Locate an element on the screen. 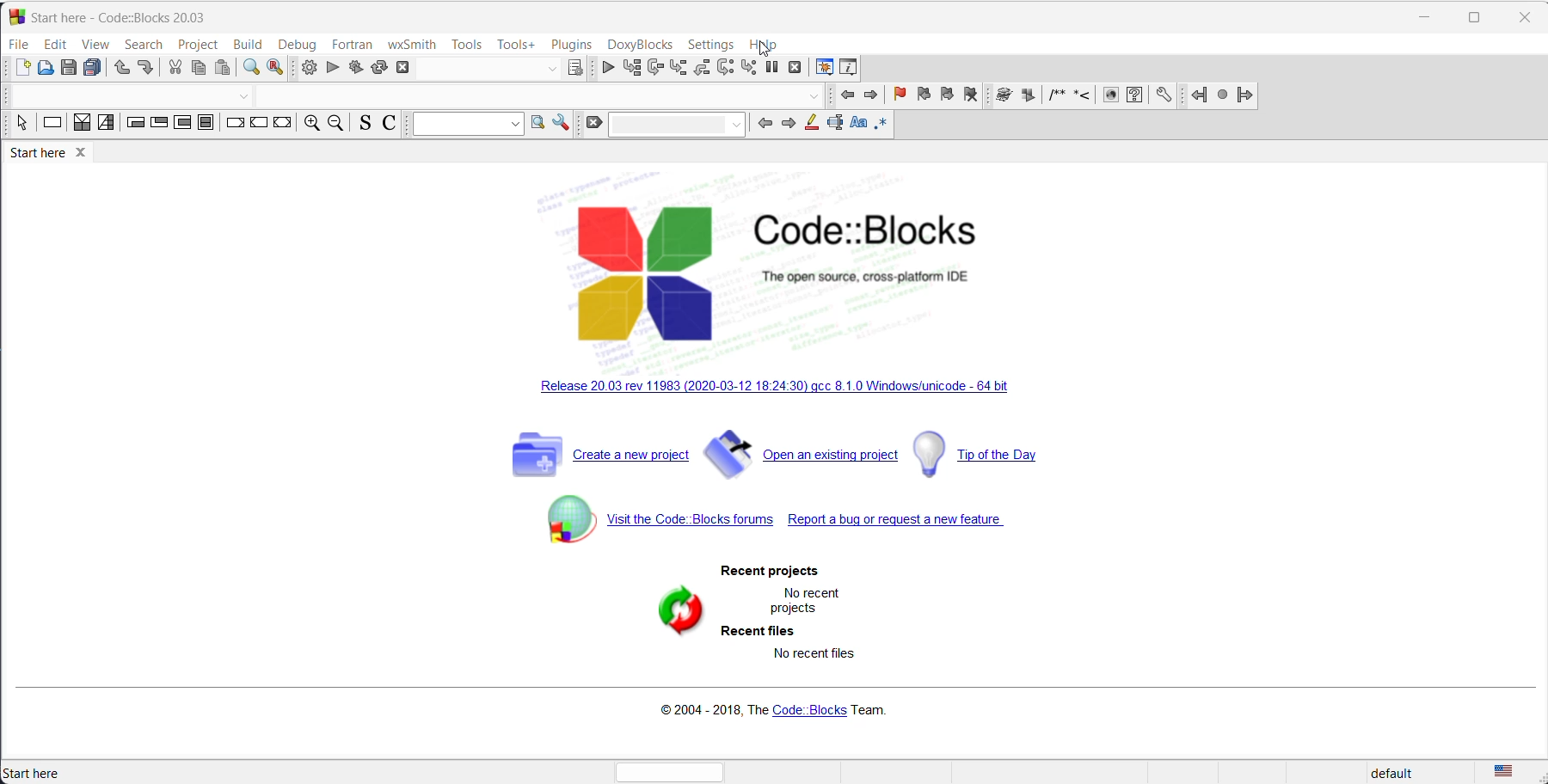 Image resolution: width=1548 pixels, height=784 pixels. no recent files is located at coordinates (817, 653).